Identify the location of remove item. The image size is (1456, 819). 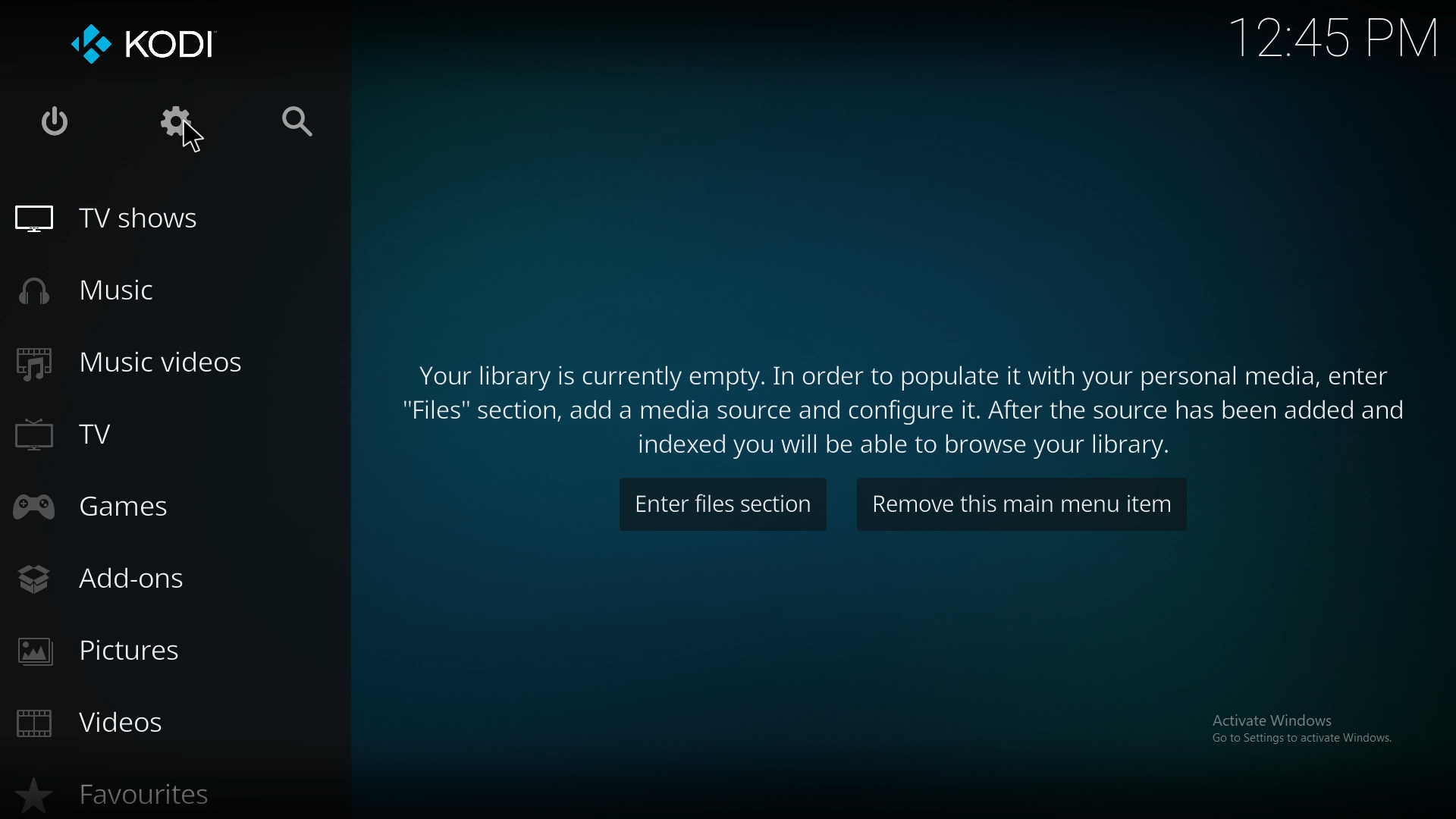
(1020, 503).